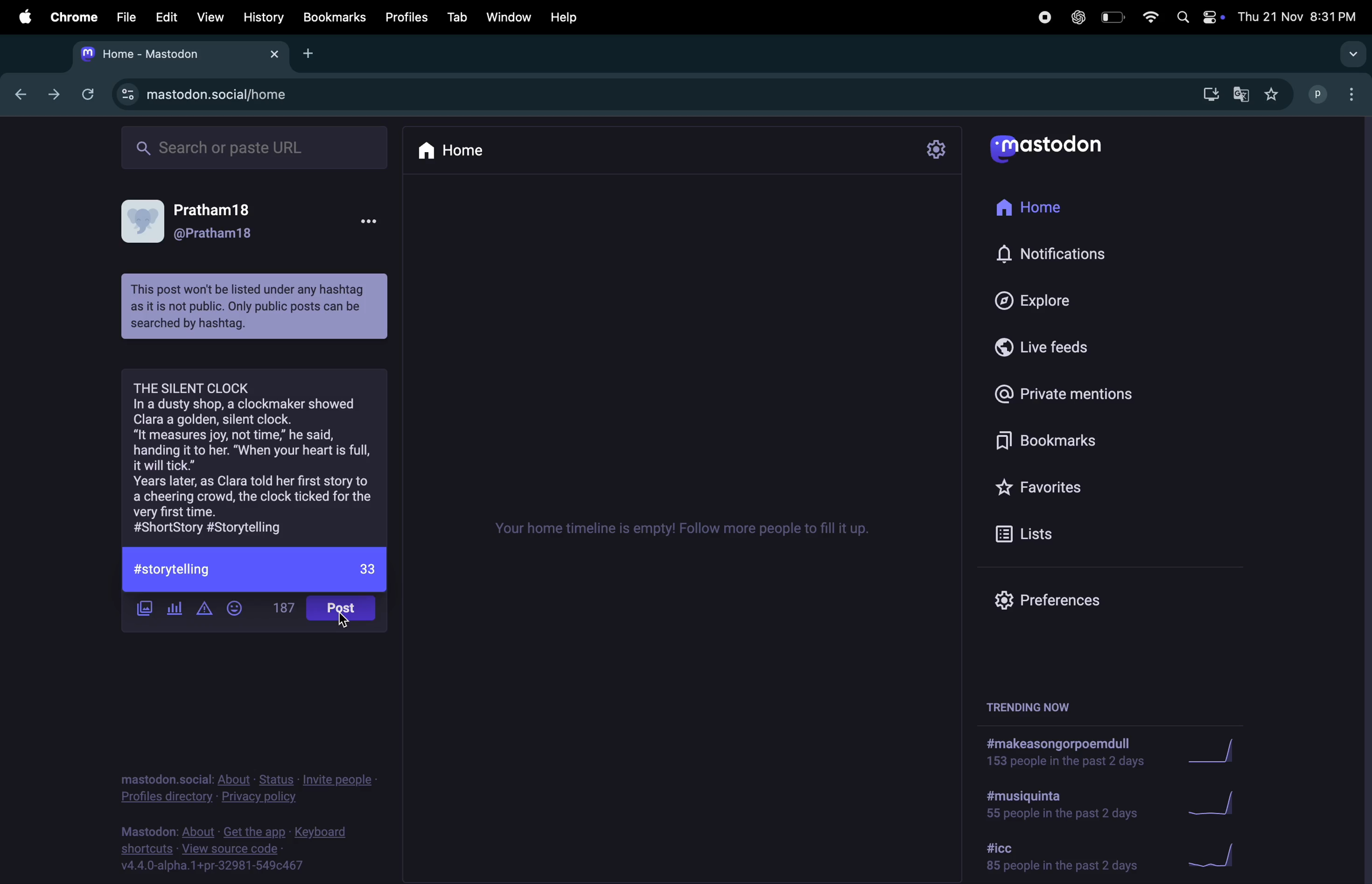 This screenshot has height=884, width=1372. What do you see at coordinates (1198, 17) in the screenshot?
I see `apple widgets` at bounding box center [1198, 17].